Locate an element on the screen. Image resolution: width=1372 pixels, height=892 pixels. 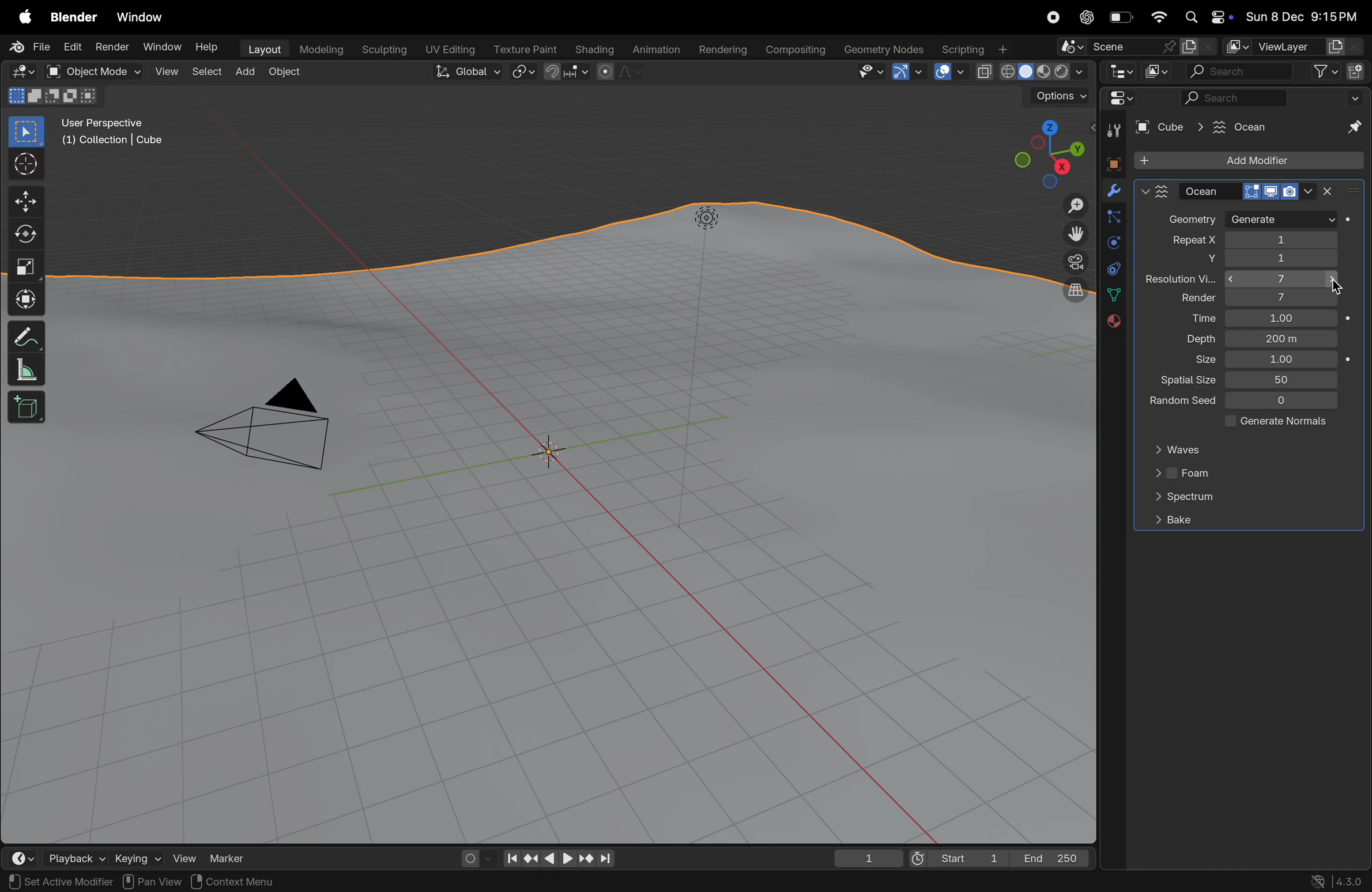
200m is located at coordinates (1283, 339).